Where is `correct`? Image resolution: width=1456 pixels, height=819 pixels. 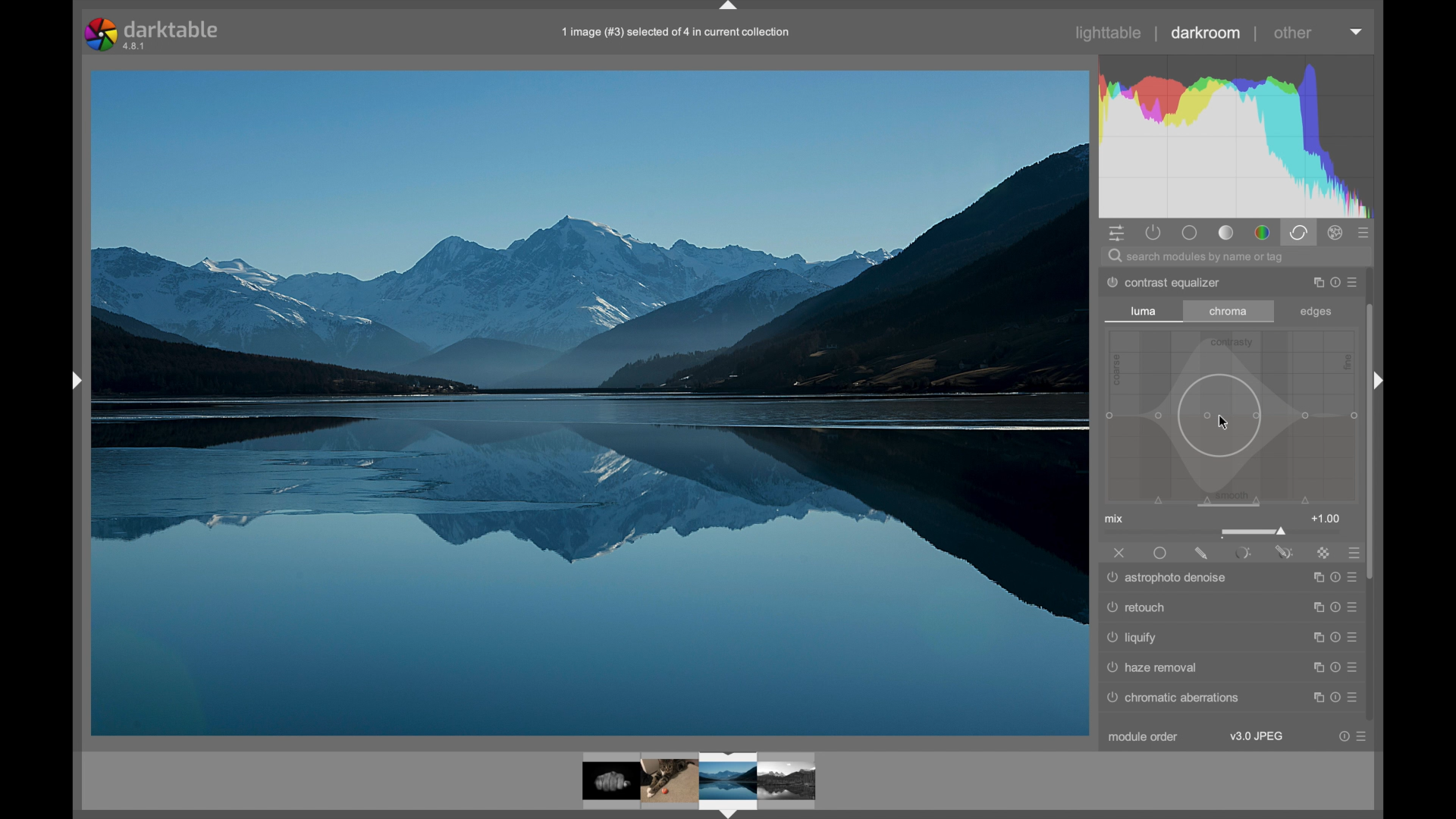
correct is located at coordinates (1298, 232).